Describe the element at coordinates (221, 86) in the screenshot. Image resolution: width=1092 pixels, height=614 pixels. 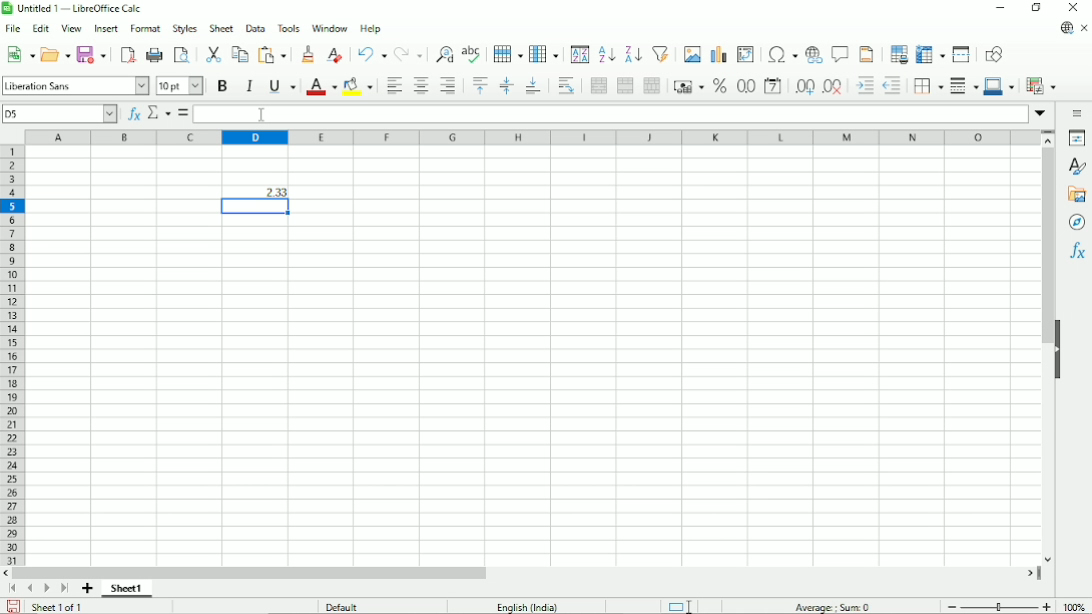
I see `Bold` at that location.